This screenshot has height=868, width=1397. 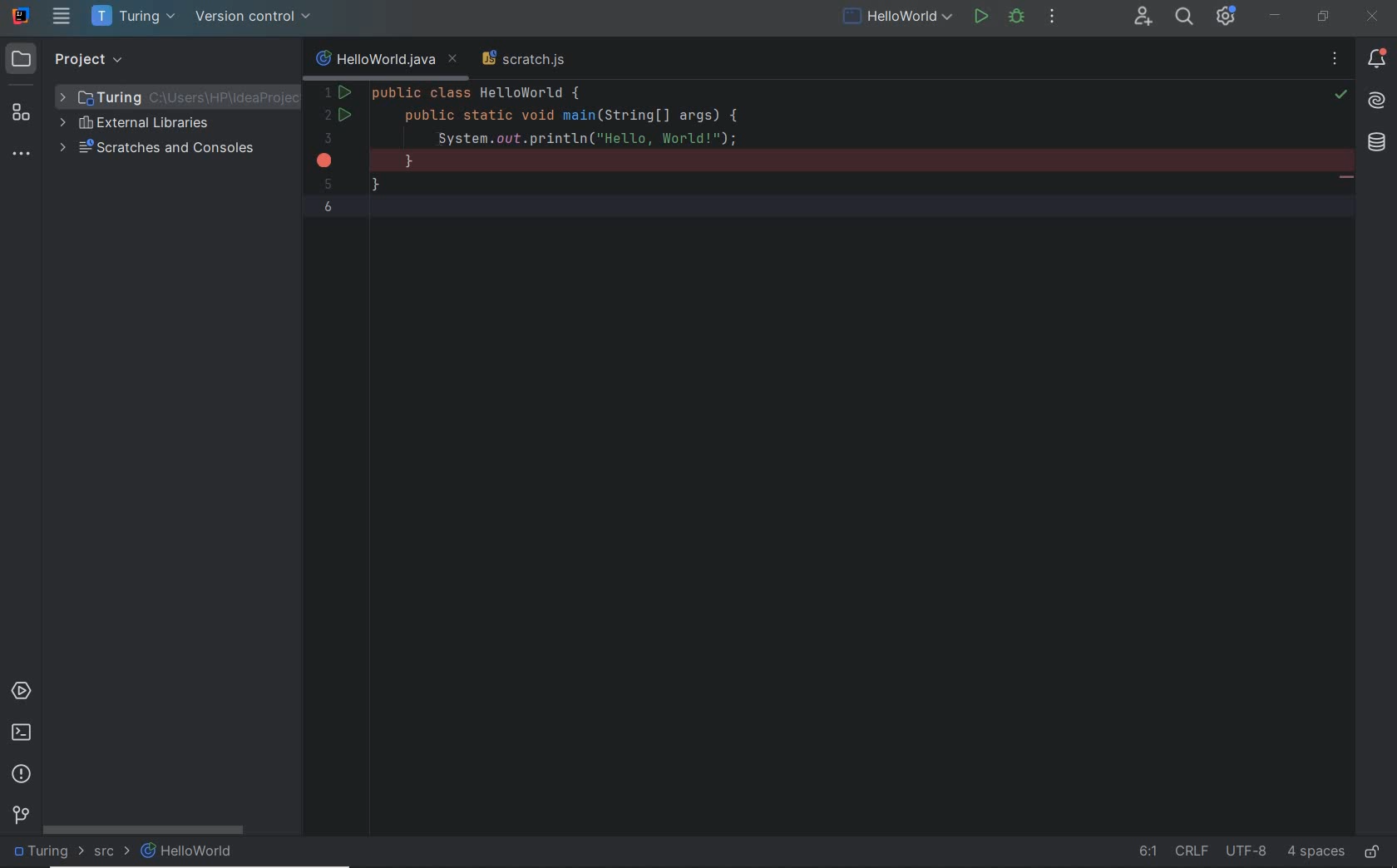 What do you see at coordinates (20, 155) in the screenshot?
I see `more tool windows` at bounding box center [20, 155].